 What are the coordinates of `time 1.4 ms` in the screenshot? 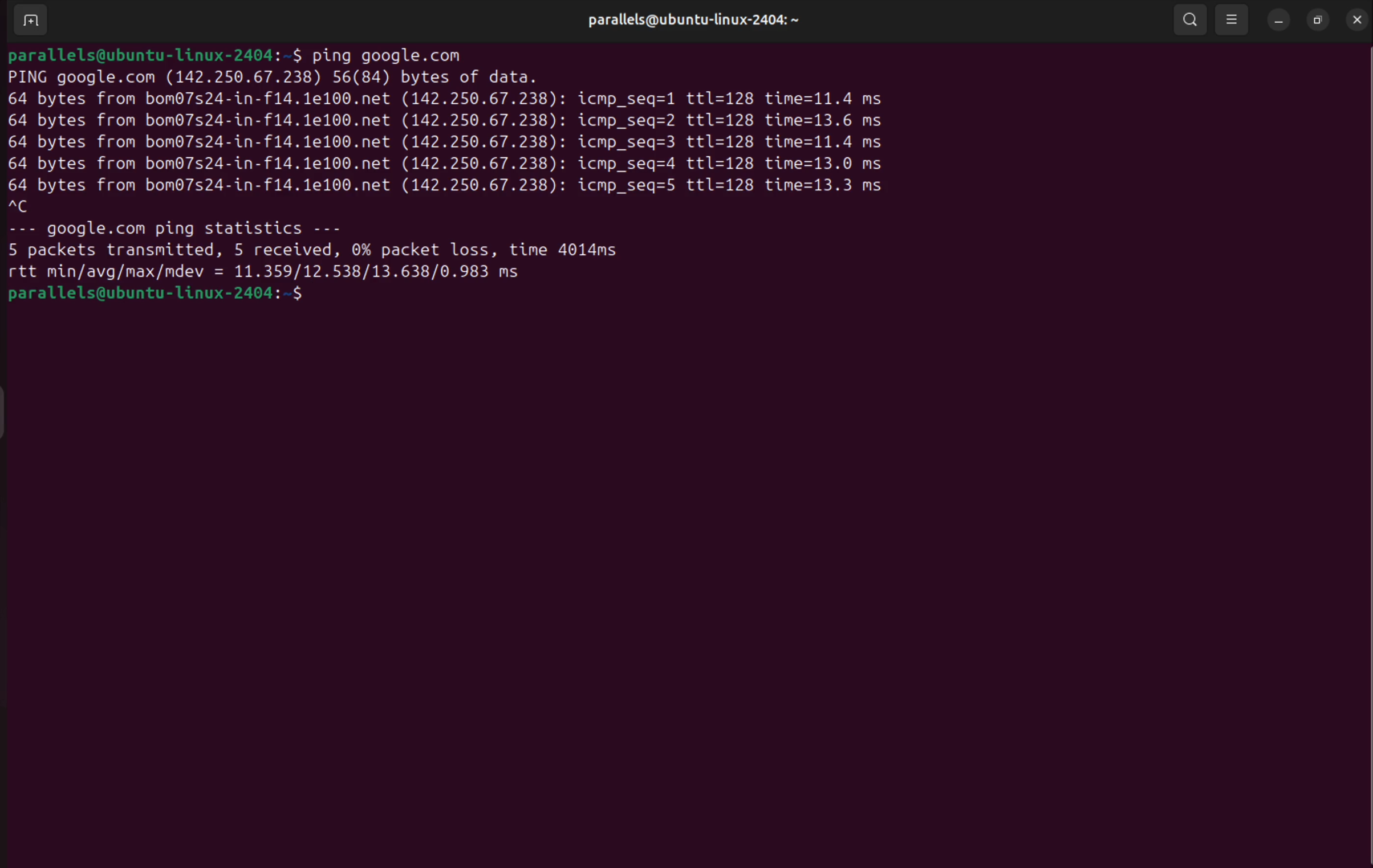 It's located at (825, 97).